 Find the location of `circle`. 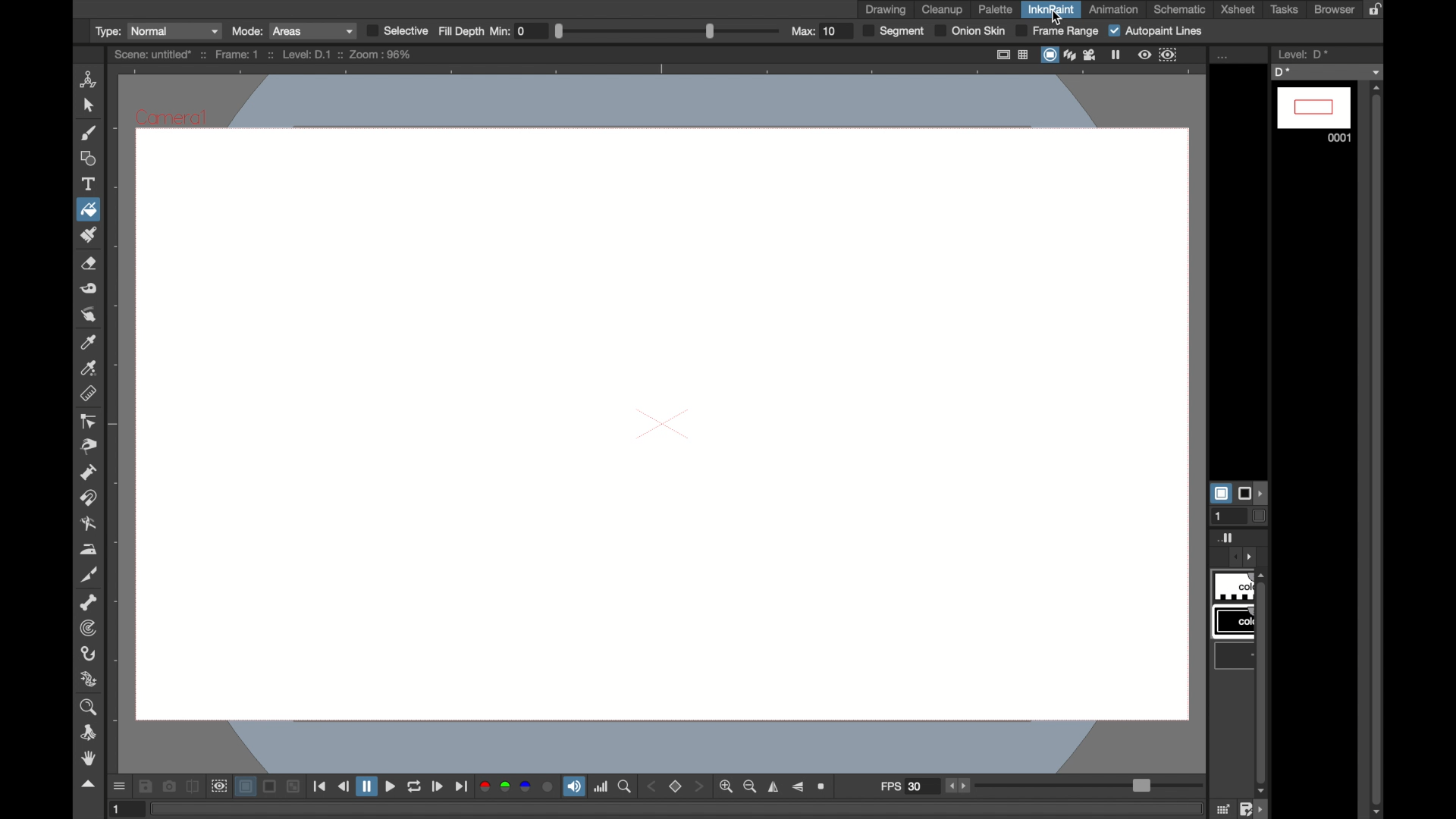

circle is located at coordinates (550, 788).